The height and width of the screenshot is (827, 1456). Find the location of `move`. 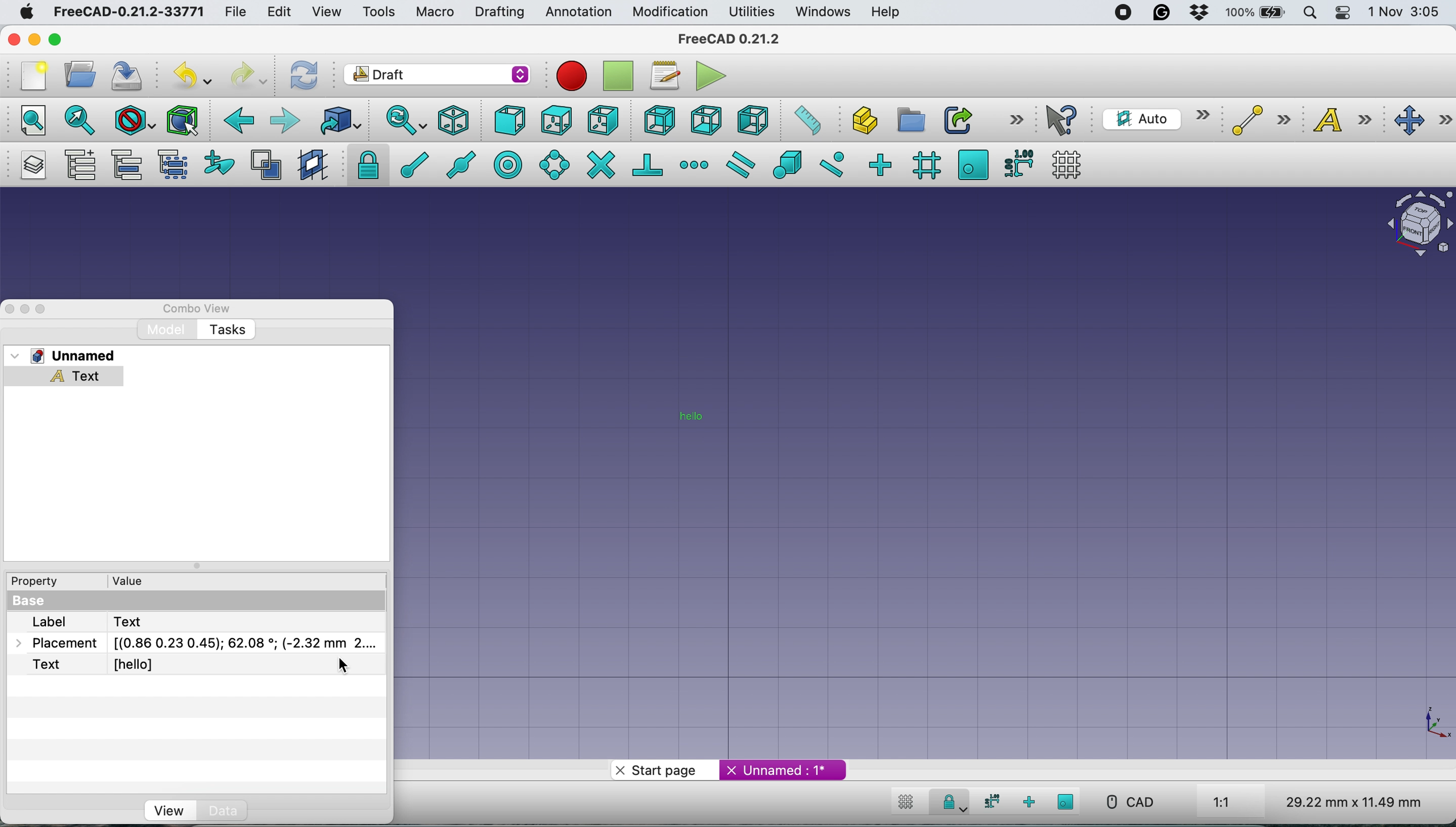

move is located at coordinates (1419, 119).